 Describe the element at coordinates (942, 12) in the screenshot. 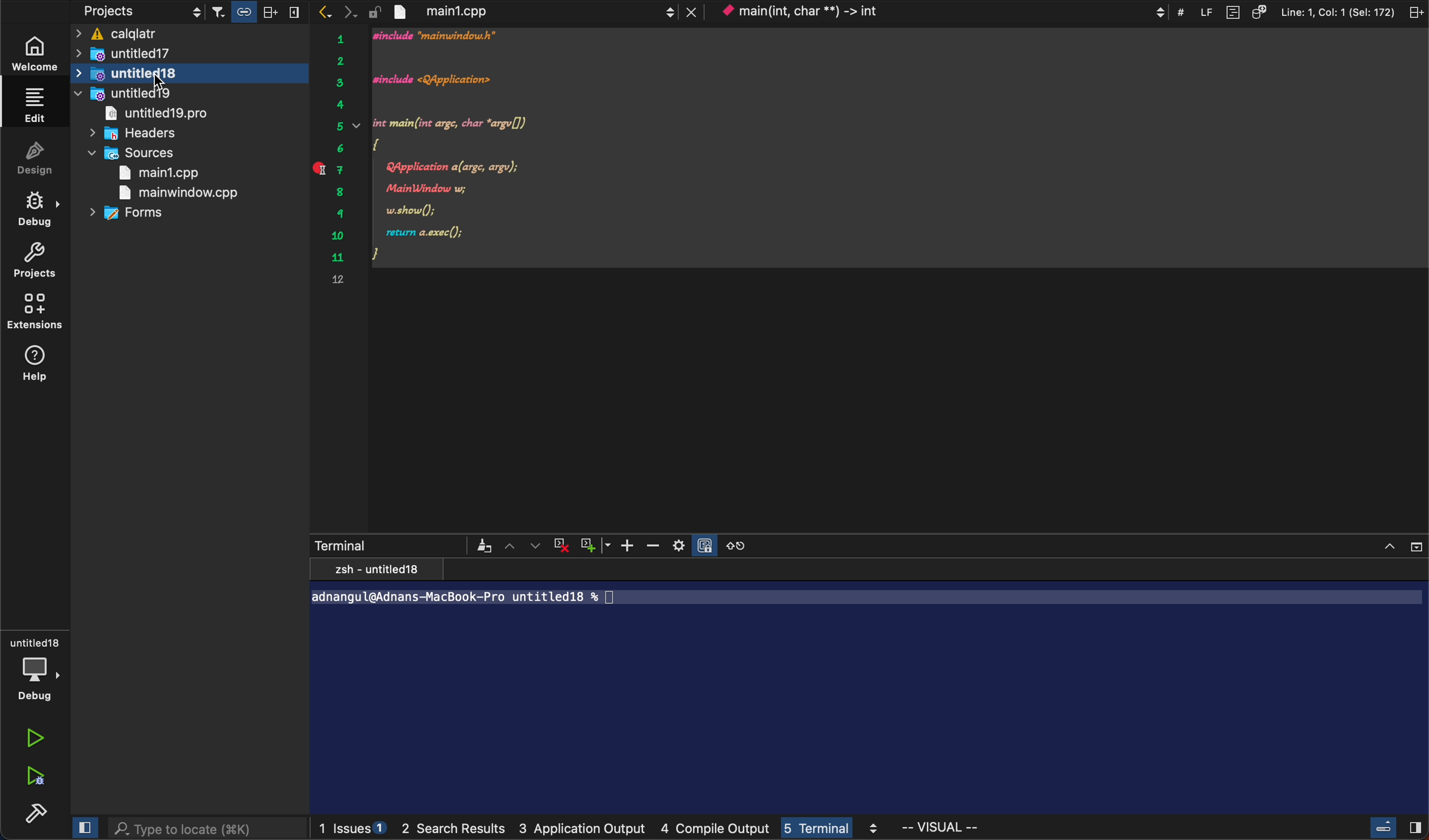

I see `context` at that location.